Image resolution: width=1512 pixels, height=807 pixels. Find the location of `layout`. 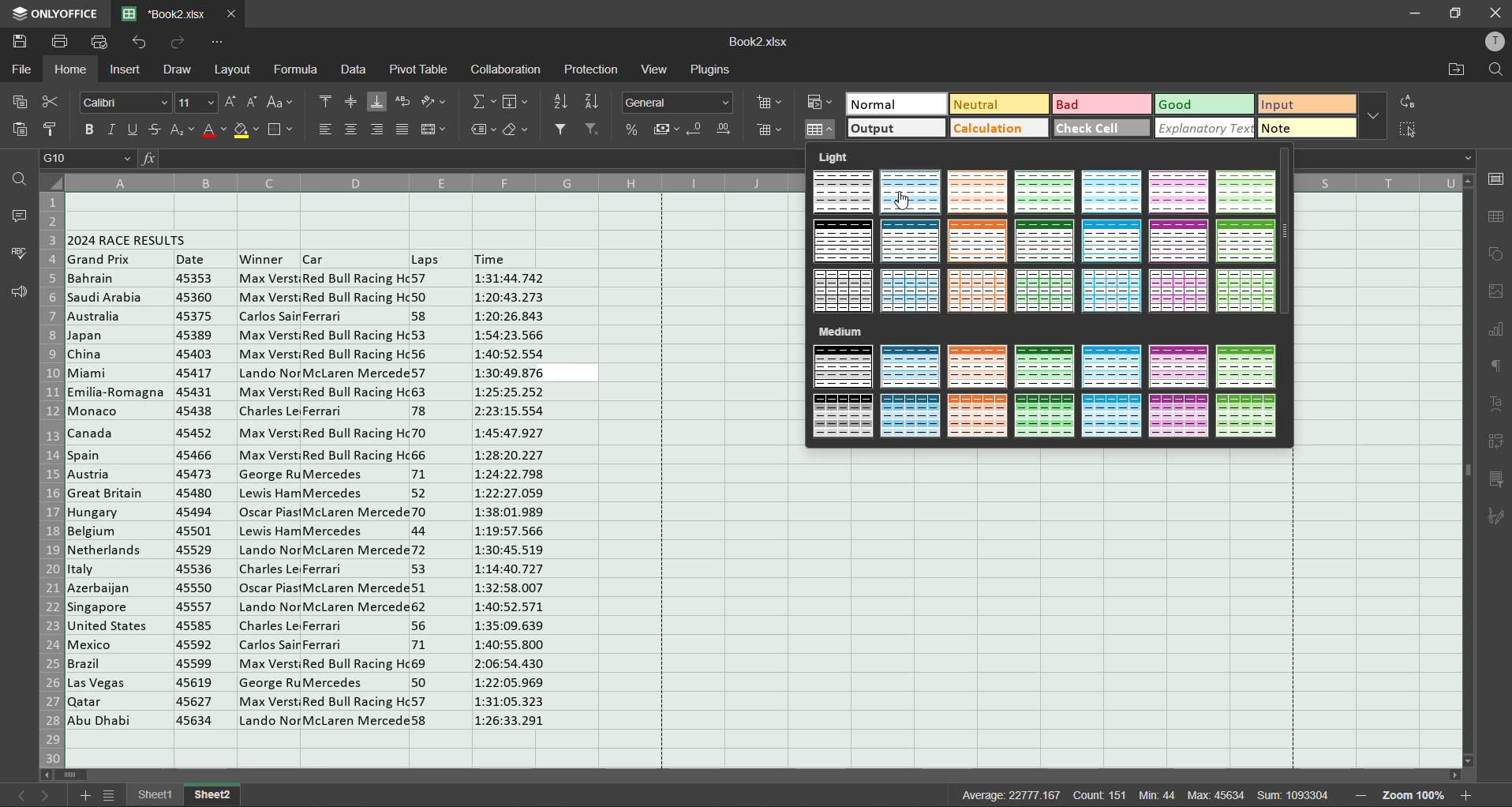

layout is located at coordinates (234, 71).